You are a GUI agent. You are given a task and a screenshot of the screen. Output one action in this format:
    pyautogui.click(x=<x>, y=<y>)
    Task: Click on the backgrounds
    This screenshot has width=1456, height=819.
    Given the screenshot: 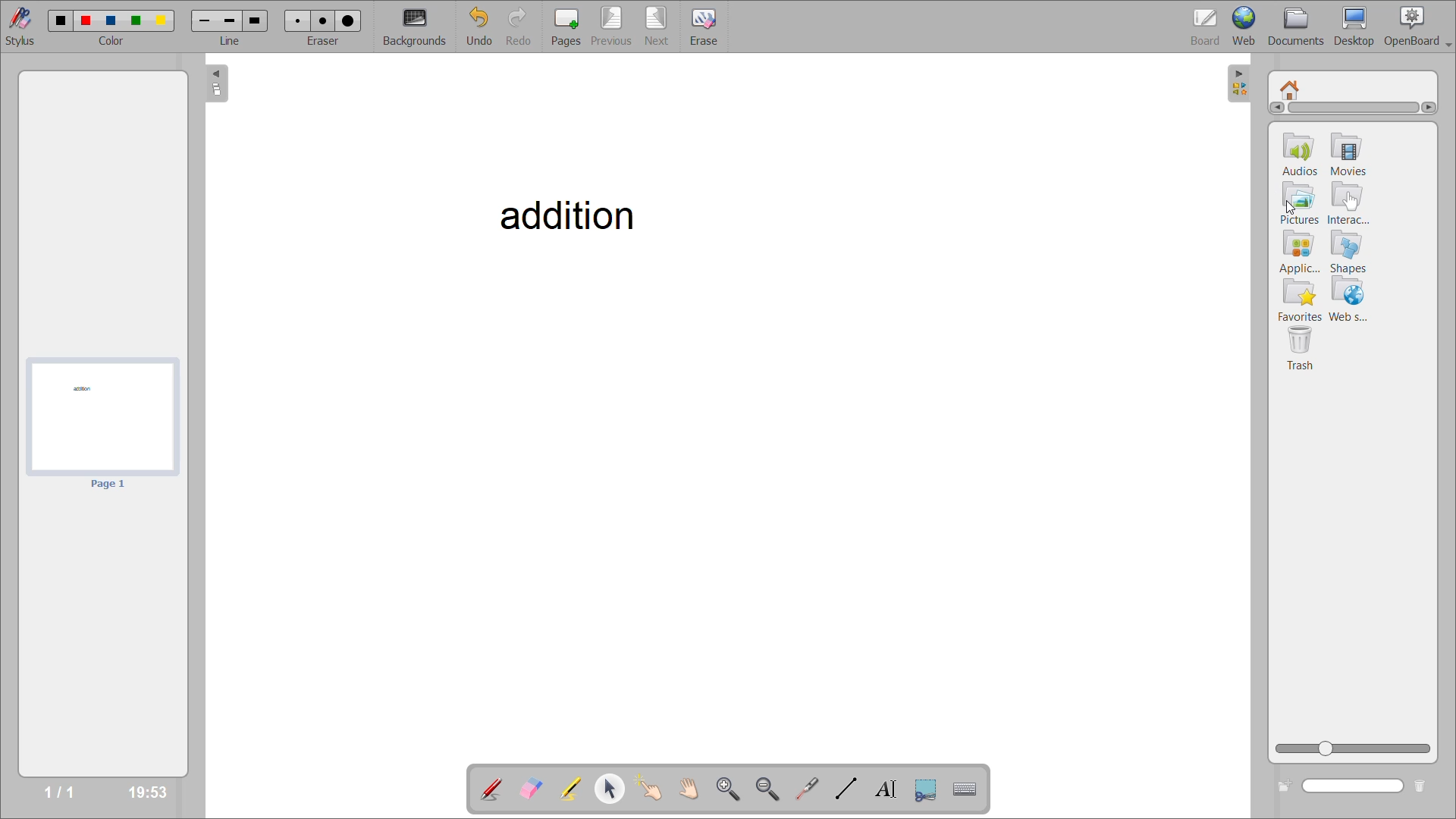 What is the action you would take?
    pyautogui.click(x=421, y=27)
    